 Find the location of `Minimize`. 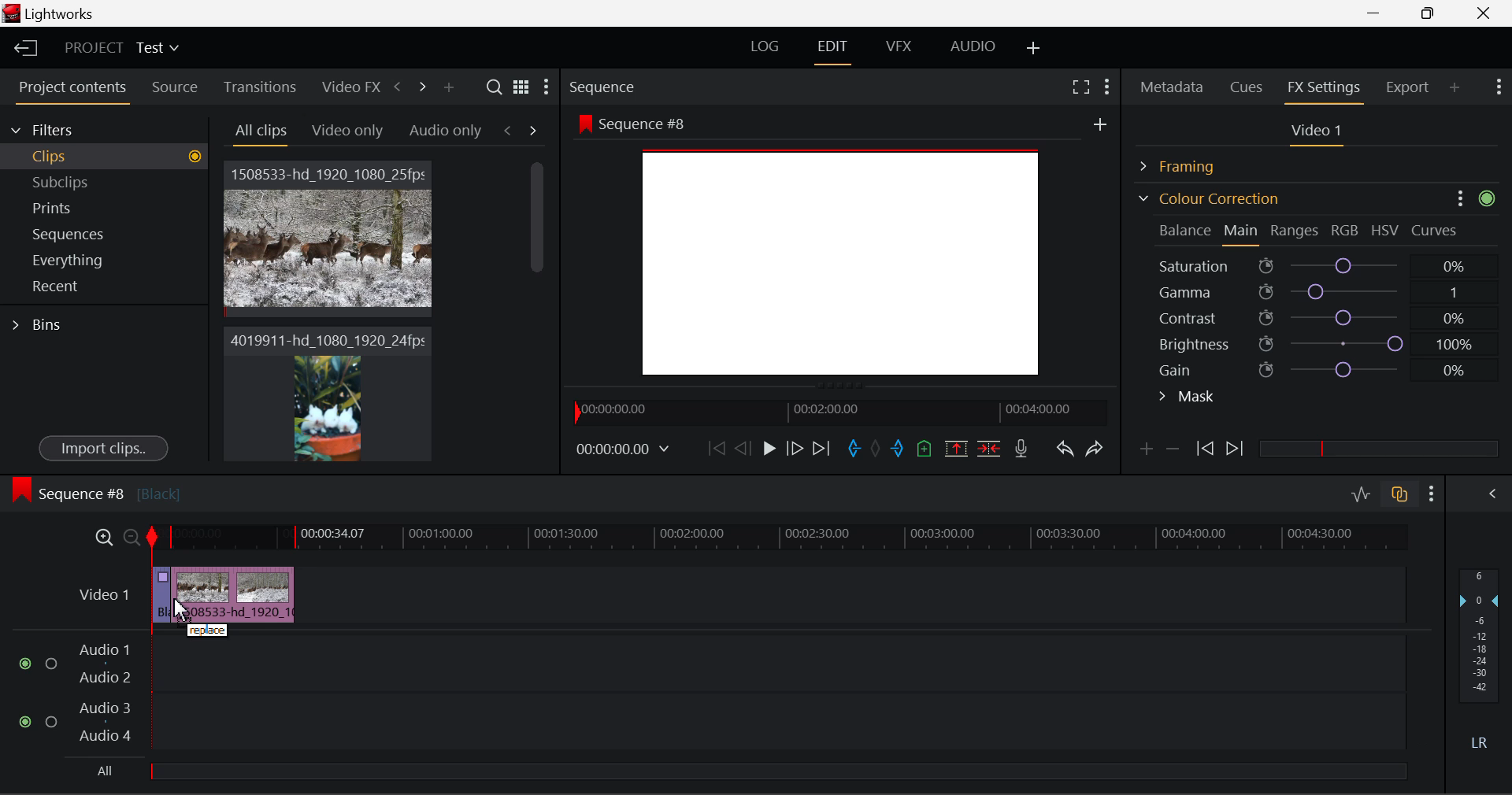

Minimize is located at coordinates (1432, 13).